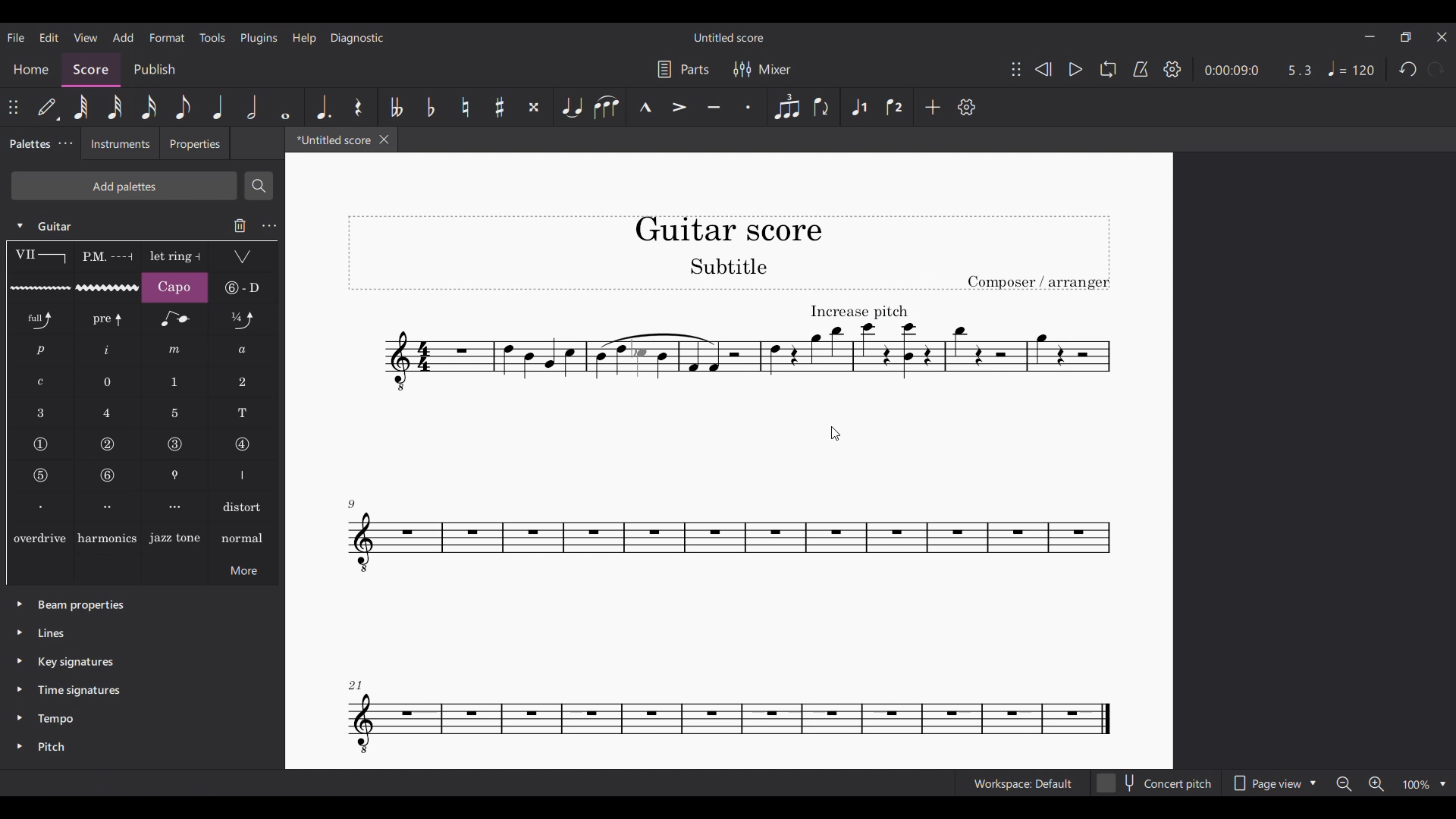  What do you see at coordinates (679, 107) in the screenshot?
I see `Accent` at bounding box center [679, 107].